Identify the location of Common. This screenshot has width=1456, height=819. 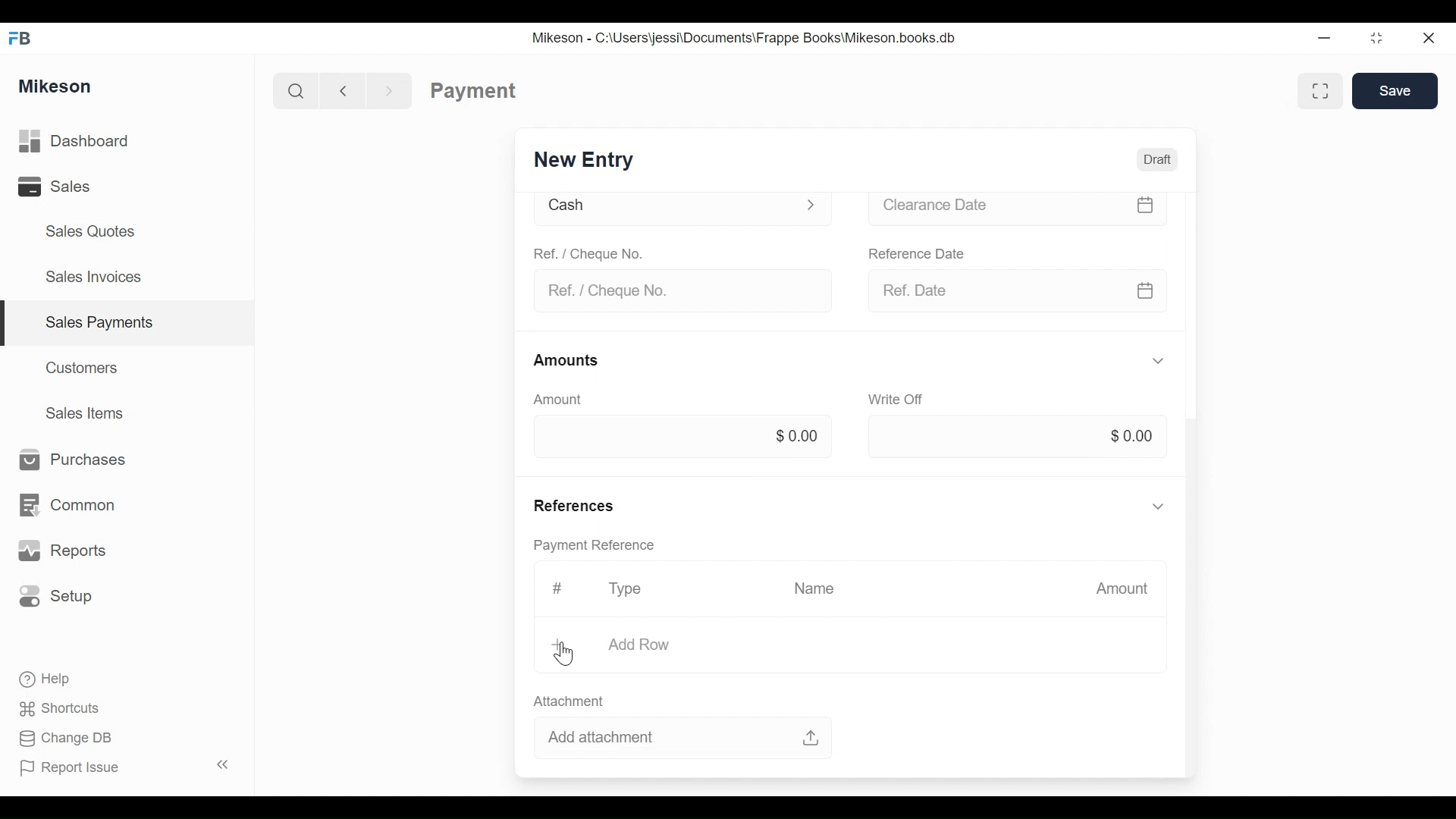
(75, 497).